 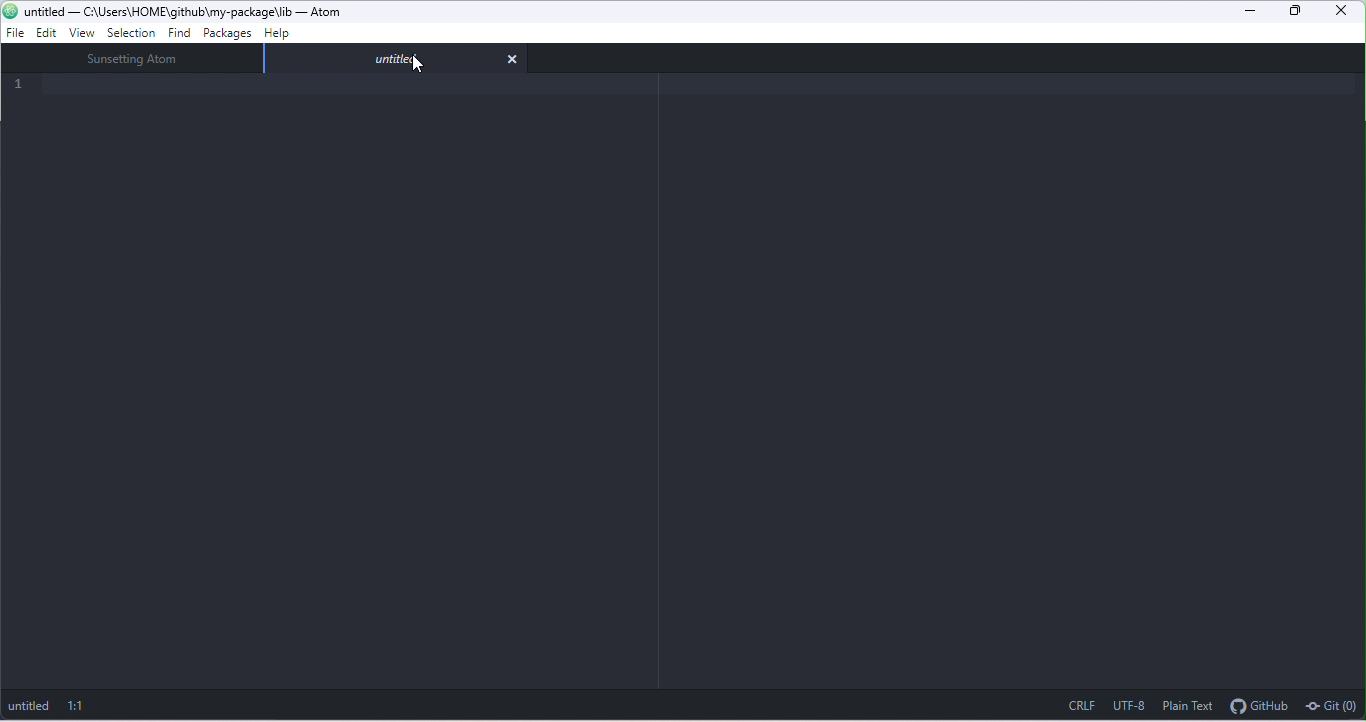 What do you see at coordinates (1129, 705) in the screenshot?
I see `UTF-8` at bounding box center [1129, 705].